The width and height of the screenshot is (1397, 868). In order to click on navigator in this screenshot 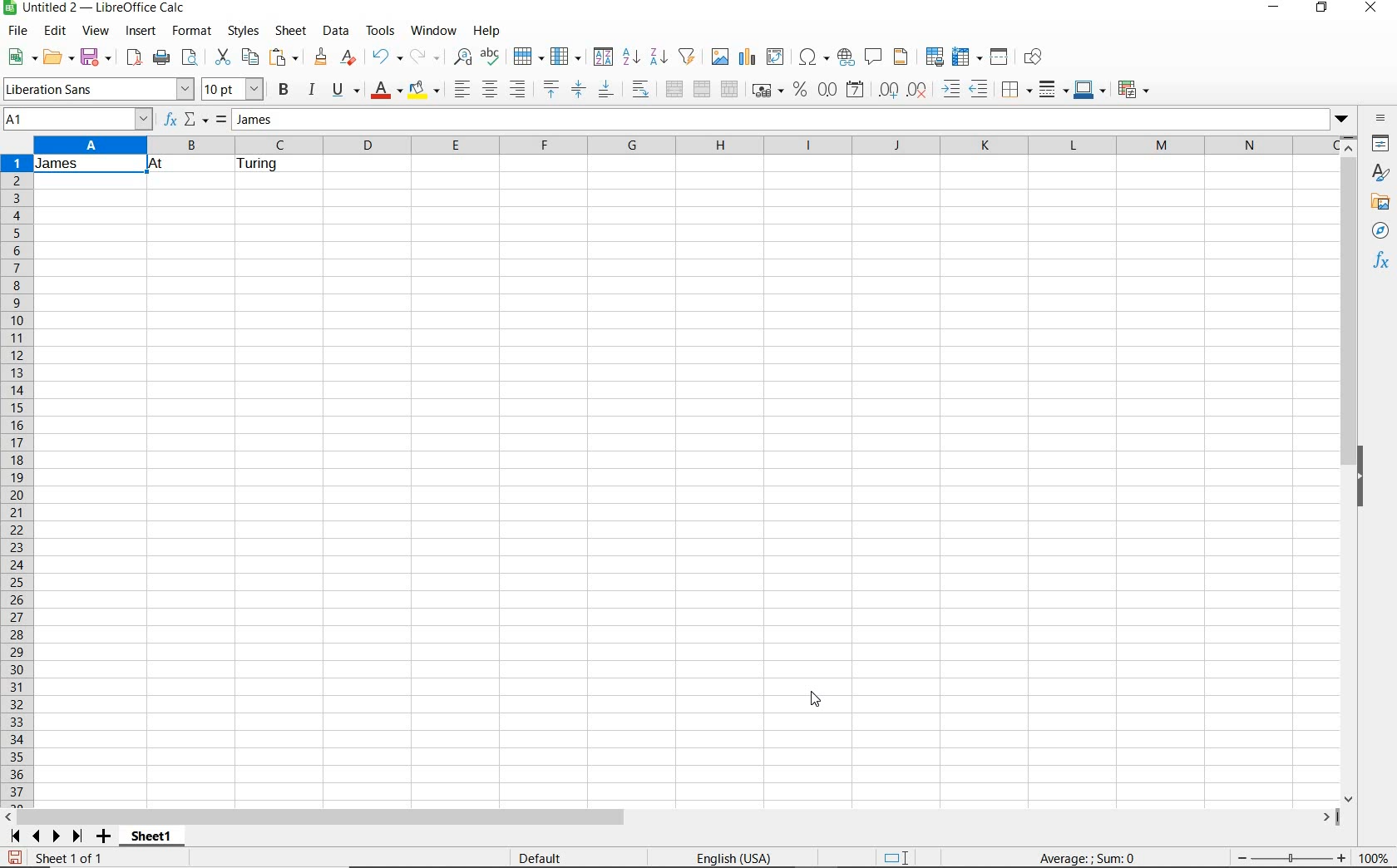, I will do `click(1381, 230)`.